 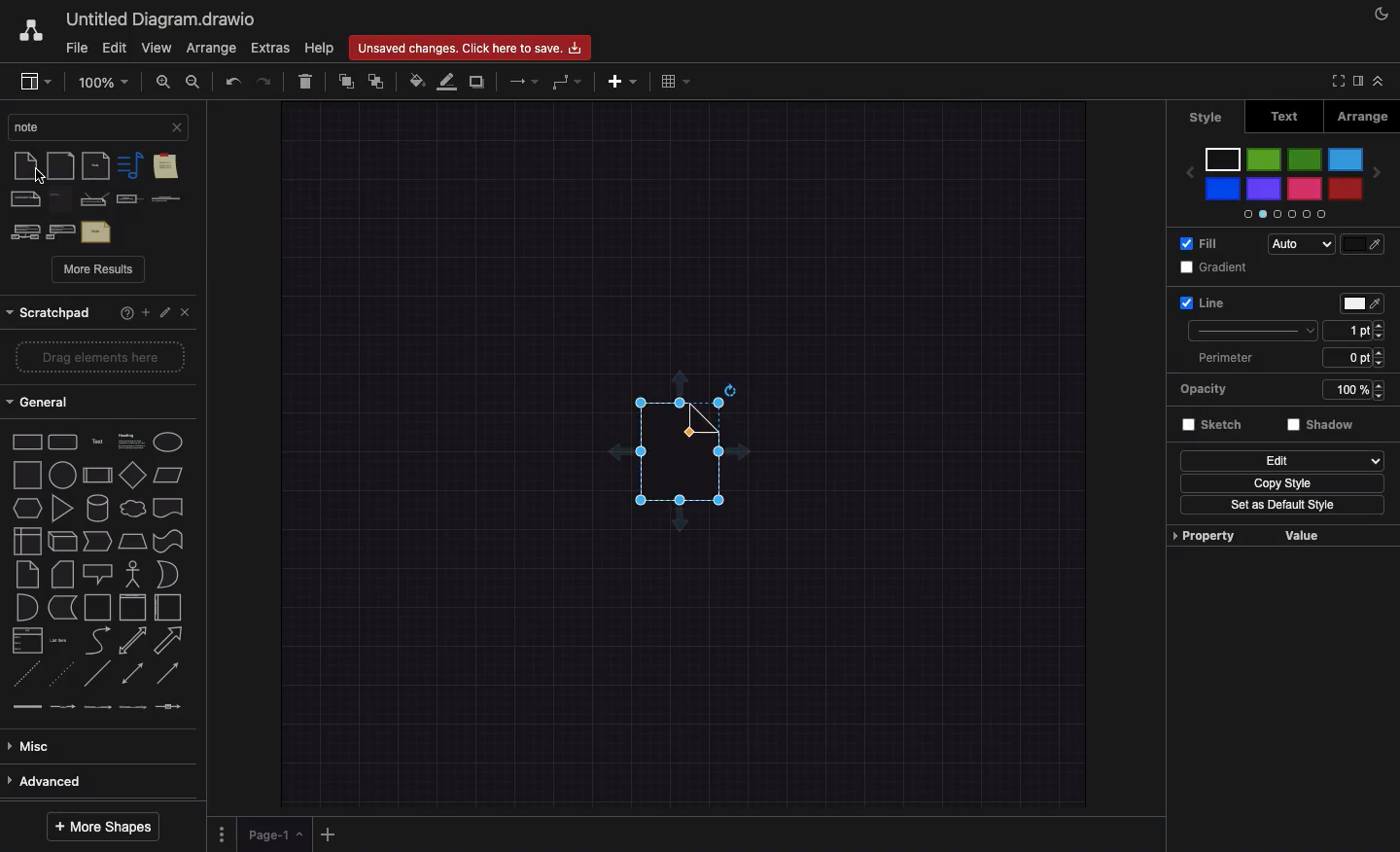 What do you see at coordinates (168, 507) in the screenshot?
I see `document` at bounding box center [168, 507].